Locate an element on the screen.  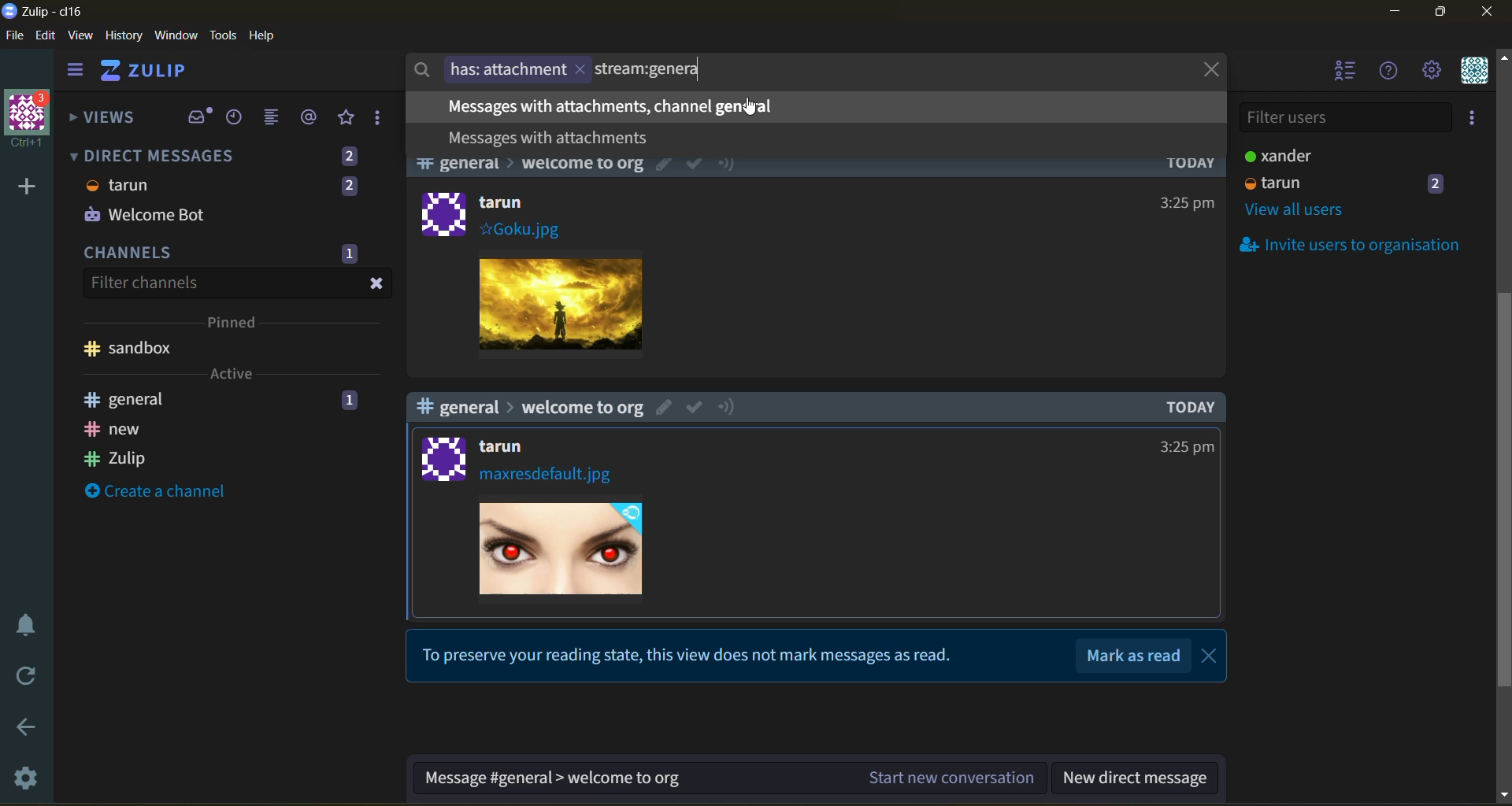
edit  is located at coordinates (661, 163).